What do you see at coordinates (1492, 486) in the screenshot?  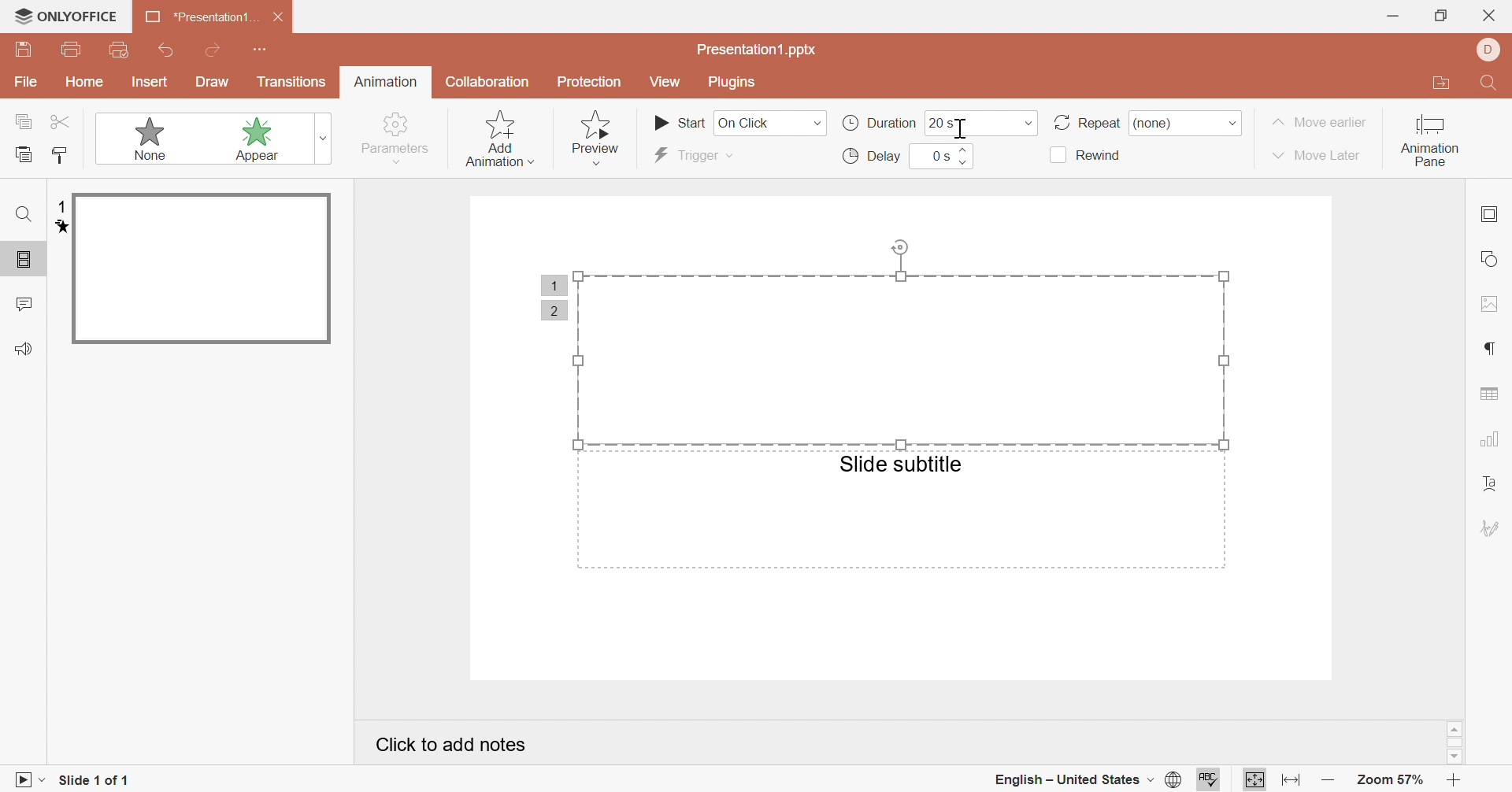 I see `text art settings` at bounding box center [1492, 486].